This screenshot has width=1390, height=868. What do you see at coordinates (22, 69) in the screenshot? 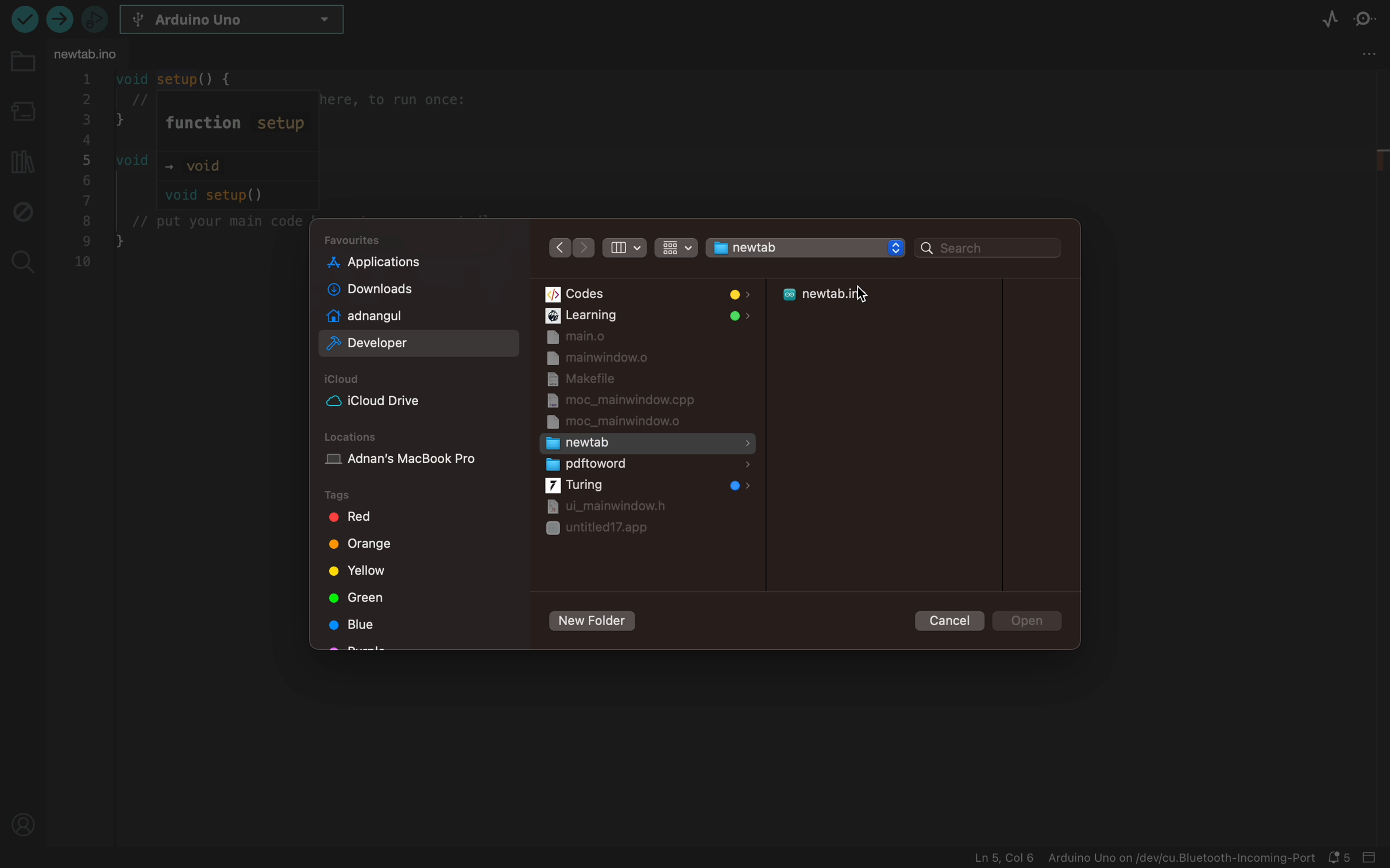
I see `folder` at bounding box center [22, 69].